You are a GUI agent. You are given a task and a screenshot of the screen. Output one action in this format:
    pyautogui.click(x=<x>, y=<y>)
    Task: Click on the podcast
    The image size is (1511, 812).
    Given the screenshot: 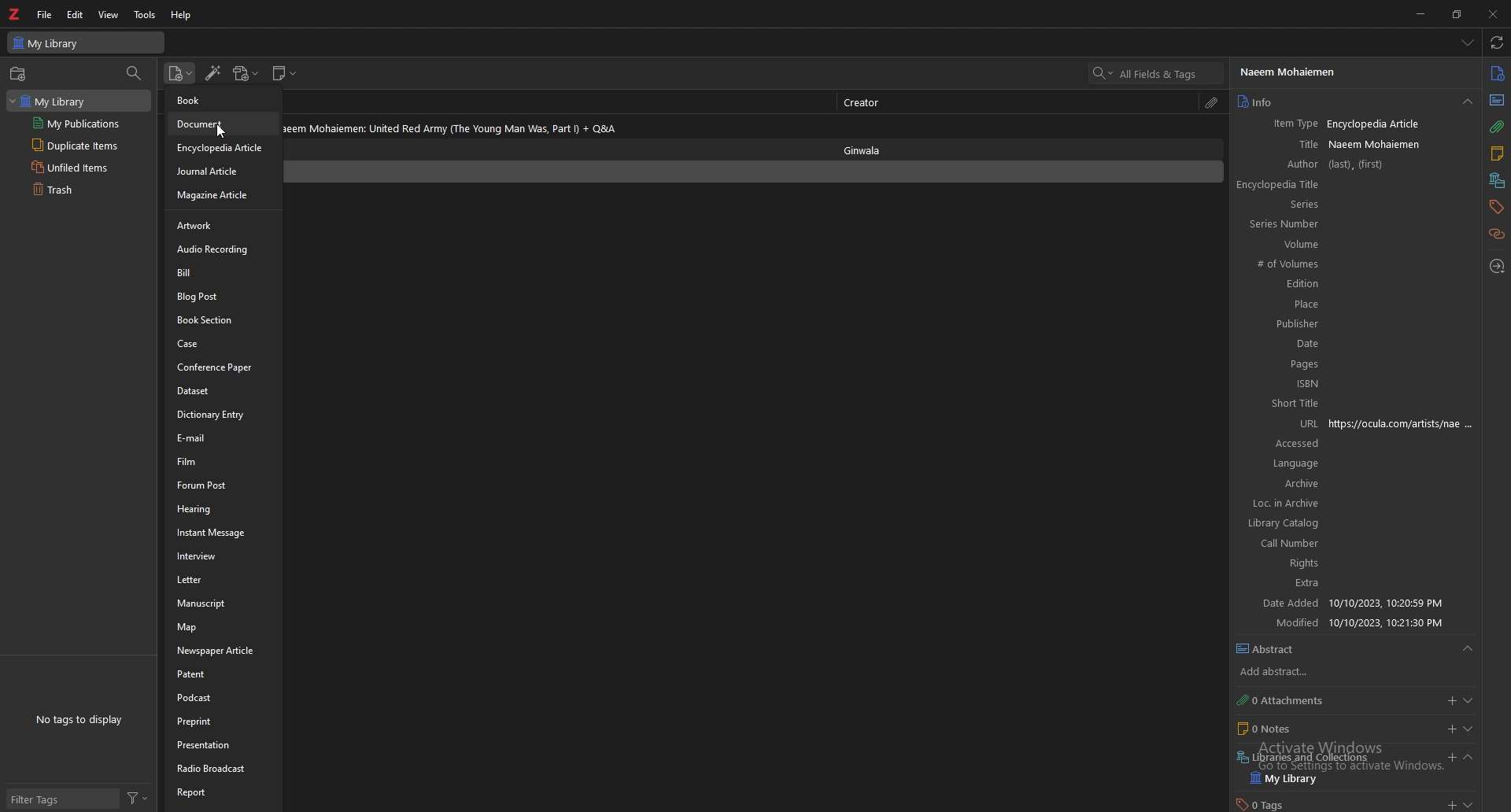 What is the action you would take?
    pyautogui.click(x=220, y=698)
    